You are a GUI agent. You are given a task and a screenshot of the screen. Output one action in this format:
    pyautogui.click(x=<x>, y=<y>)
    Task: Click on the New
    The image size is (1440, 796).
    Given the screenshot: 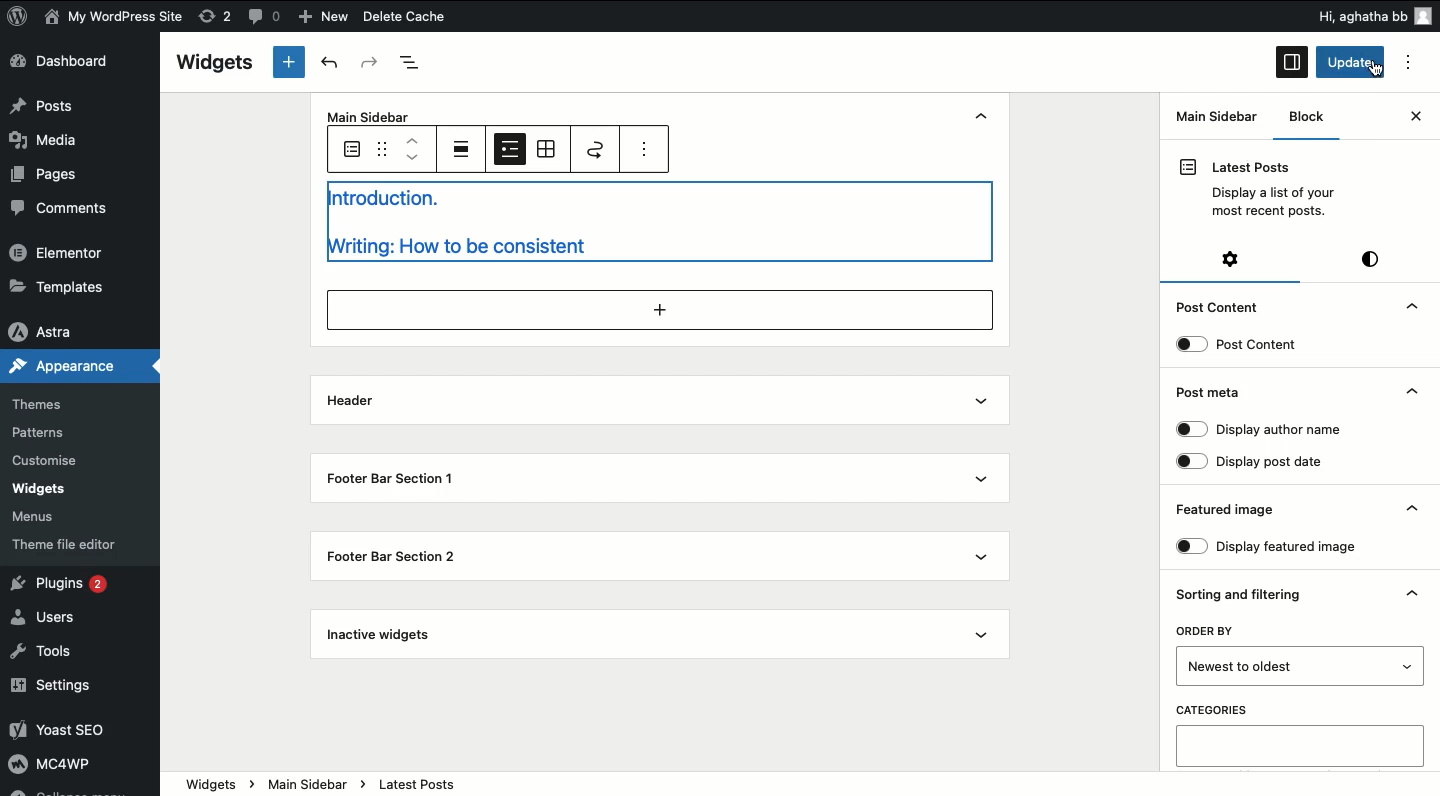 What is the action you would take?
    pyautogui.click(x=329, y=17)
    